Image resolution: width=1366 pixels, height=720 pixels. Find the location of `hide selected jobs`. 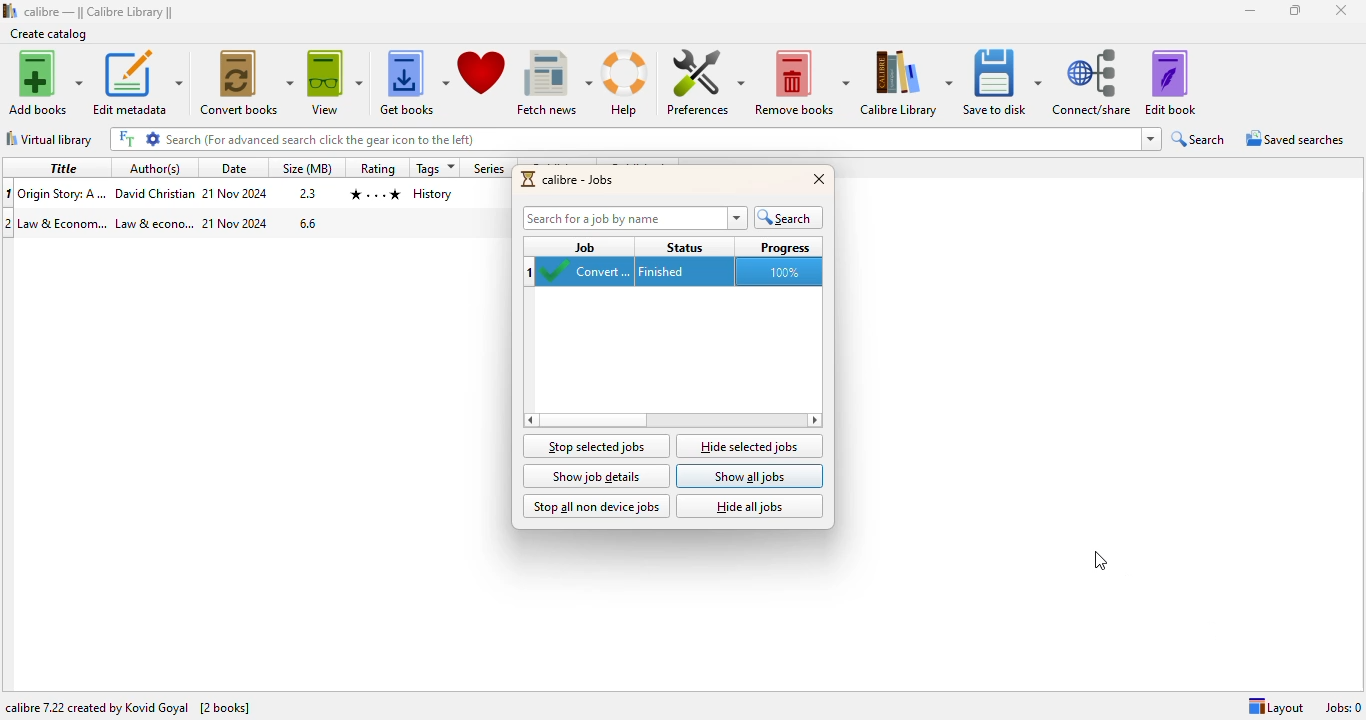

hide selected jobs is located at coordinates (750, 446).